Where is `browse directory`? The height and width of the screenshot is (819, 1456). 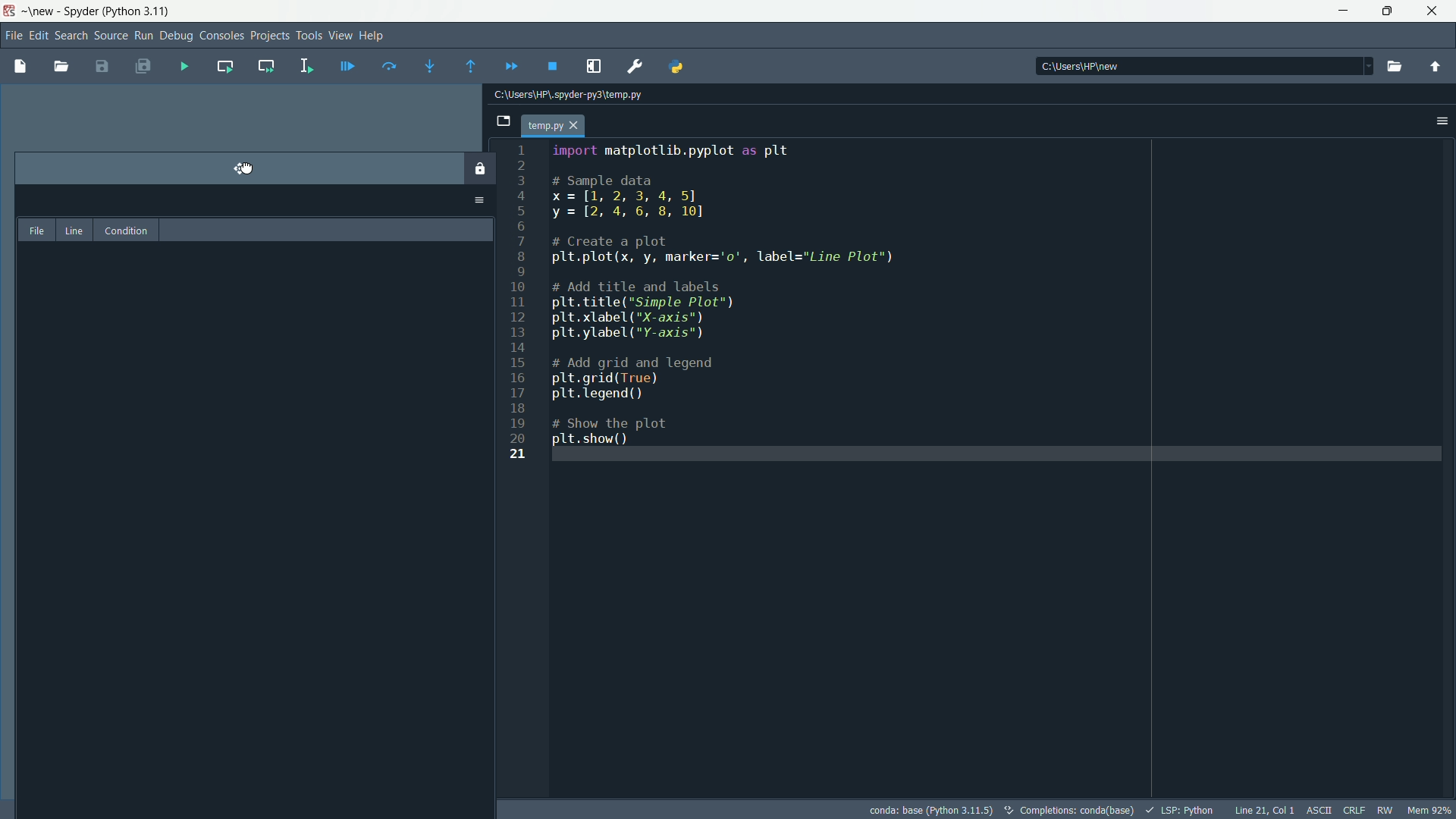 browse directory is located at coordinates (1394, 66).